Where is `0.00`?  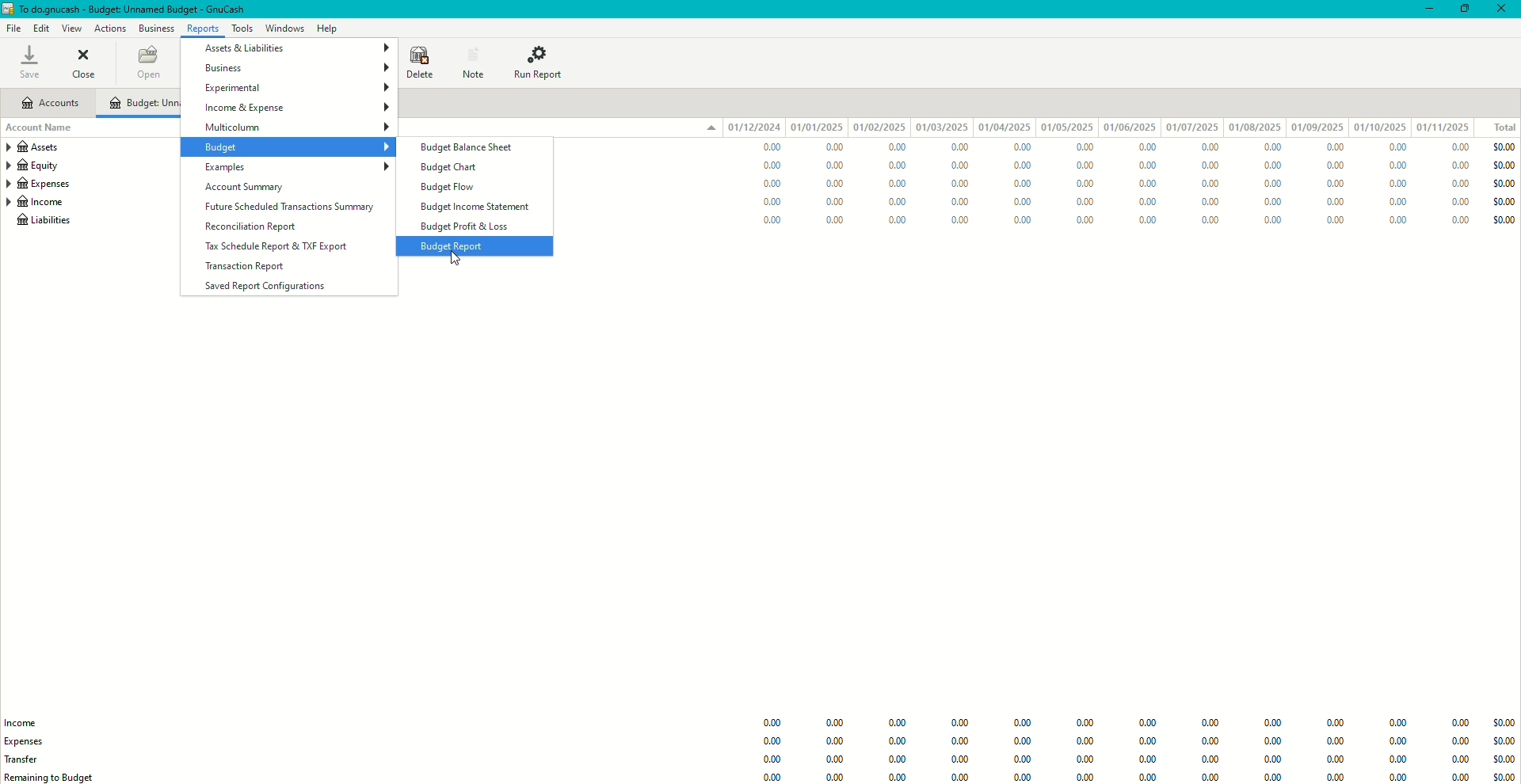 0.00 is located at coordinates (774, 741).